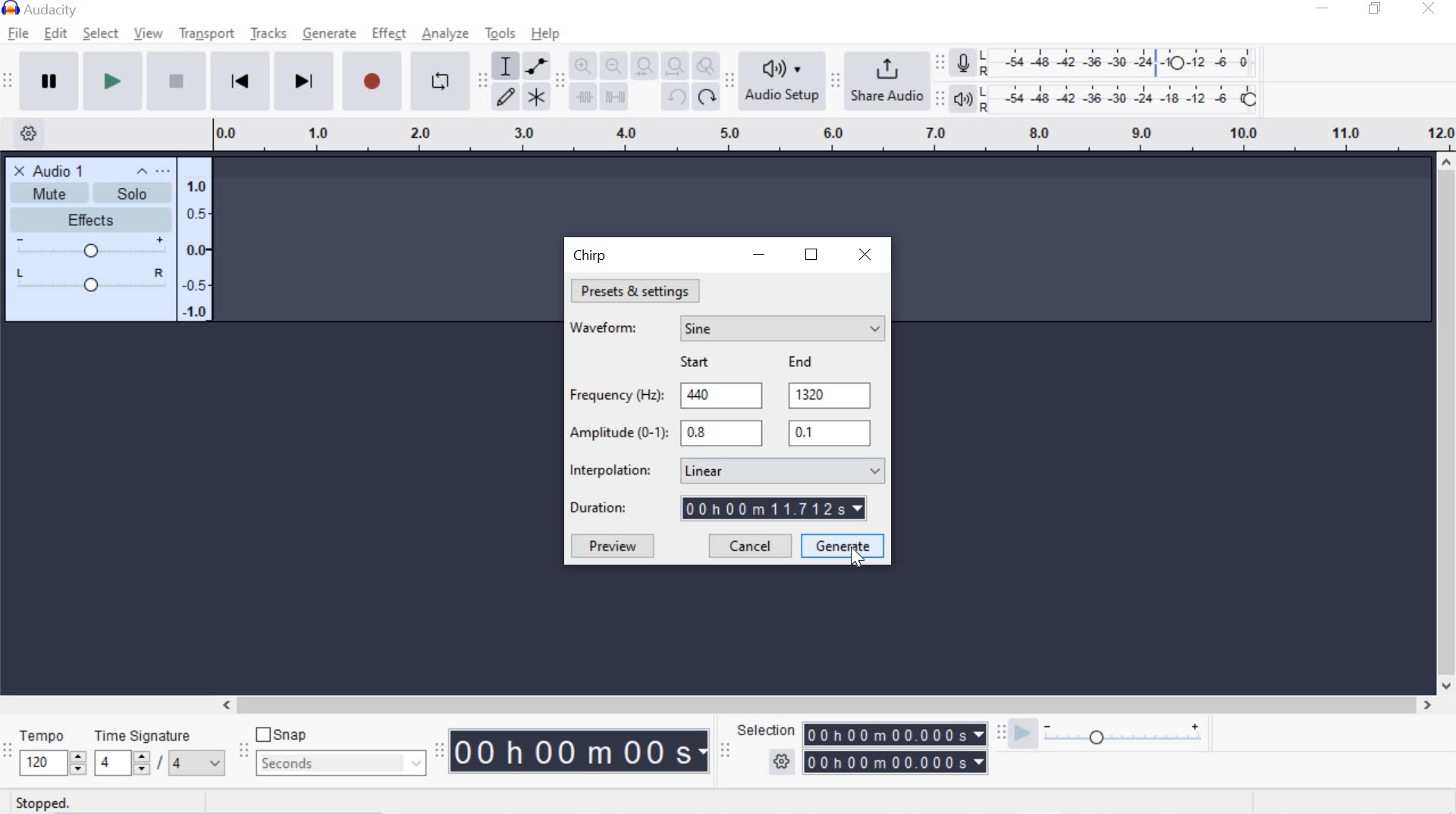 The image size is (1456, 814). Describe the element at coordinates (507, 98) in the screenshot. I see `Draw tool` at that location.